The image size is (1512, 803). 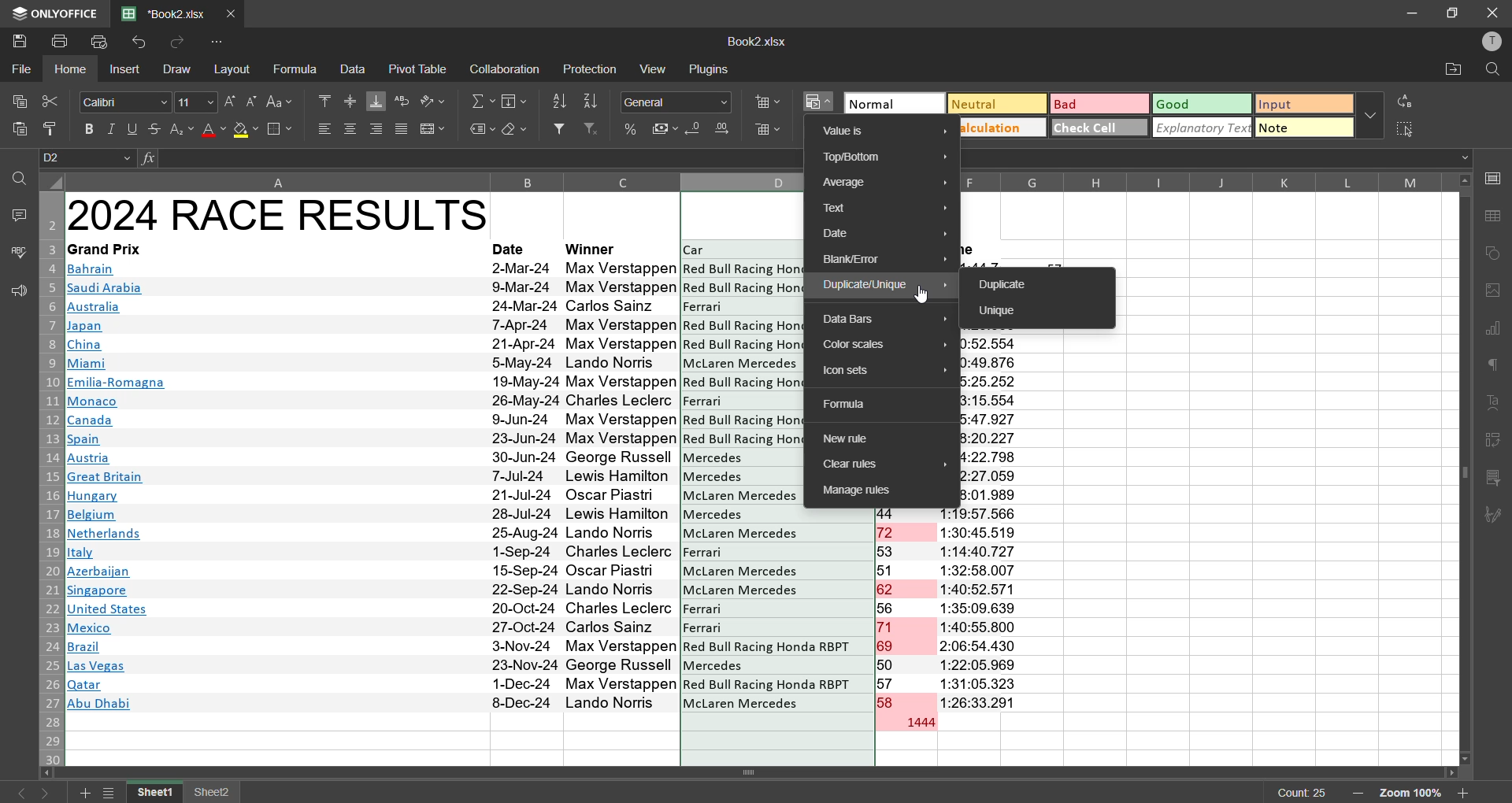 I want to click on pivot table, so click(x=419, y=68).